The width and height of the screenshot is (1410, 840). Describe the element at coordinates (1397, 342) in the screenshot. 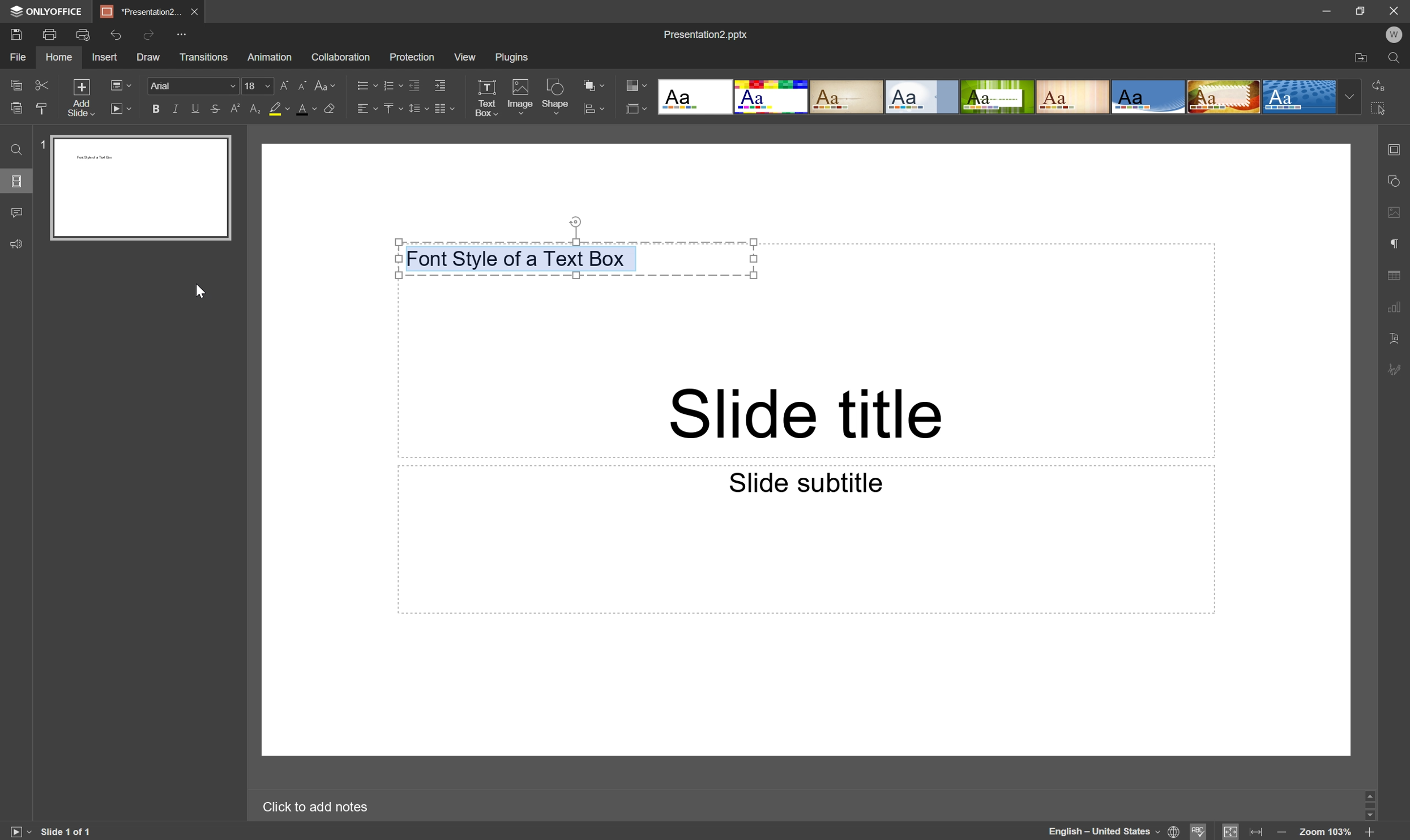

I see `Text Art settings` at that location.